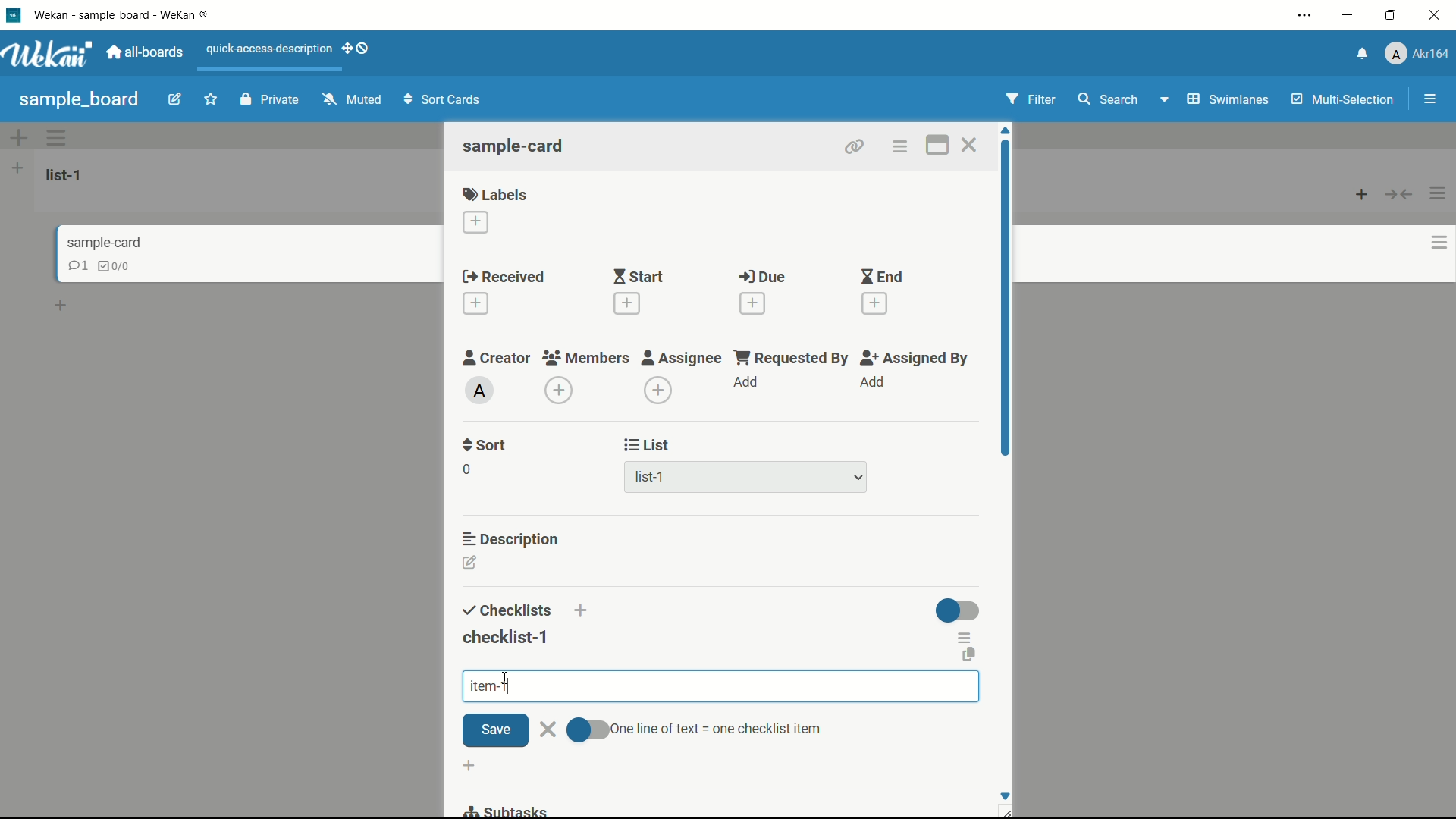 This screenshot has width=1456, height=819. I want to click on app logo, so click(51, 55).